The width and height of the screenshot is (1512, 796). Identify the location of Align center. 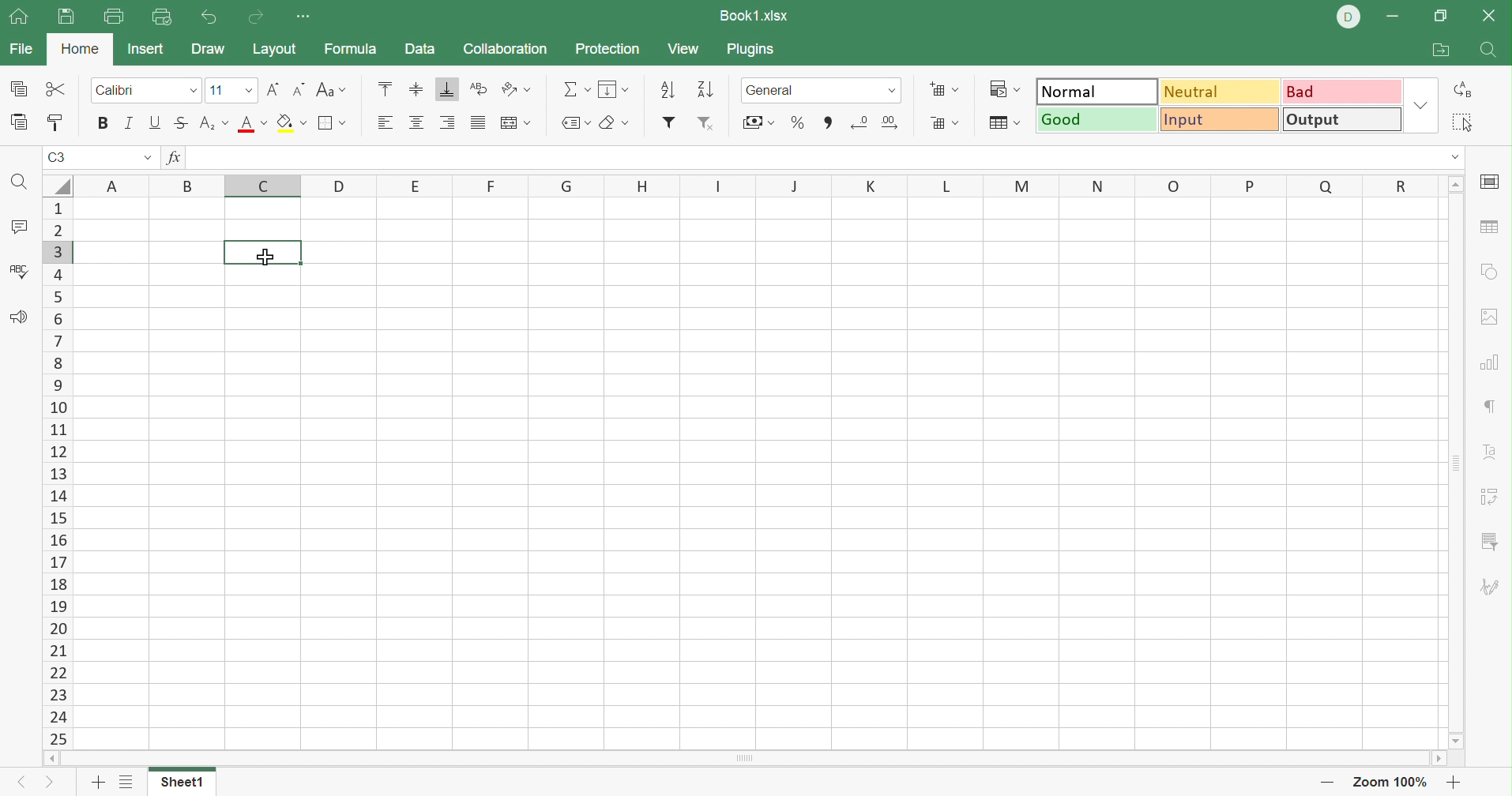
(415, 121).